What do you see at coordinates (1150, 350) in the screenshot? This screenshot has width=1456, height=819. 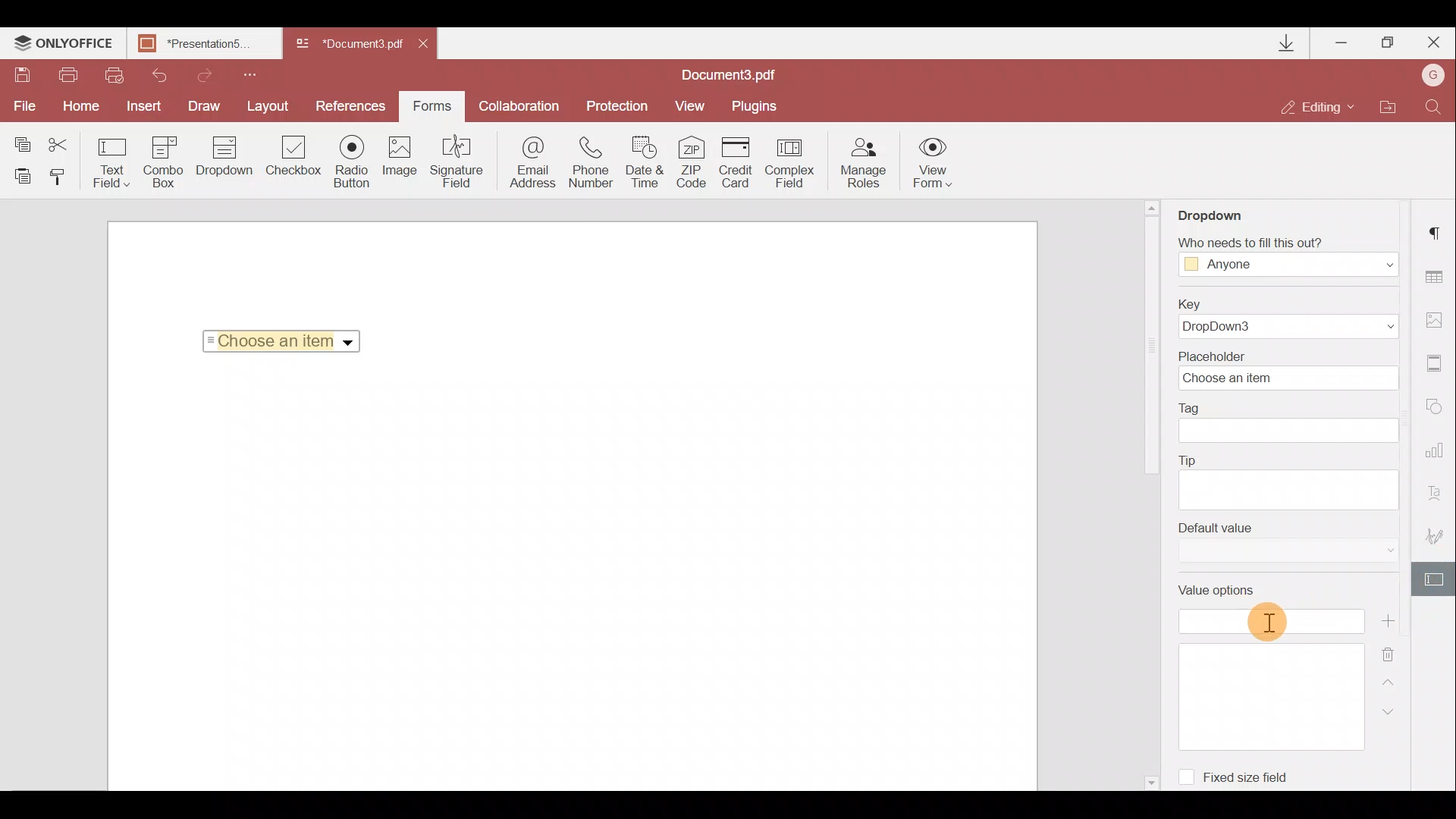 I see `Scroll bar` at bounding box center [1150, 350].